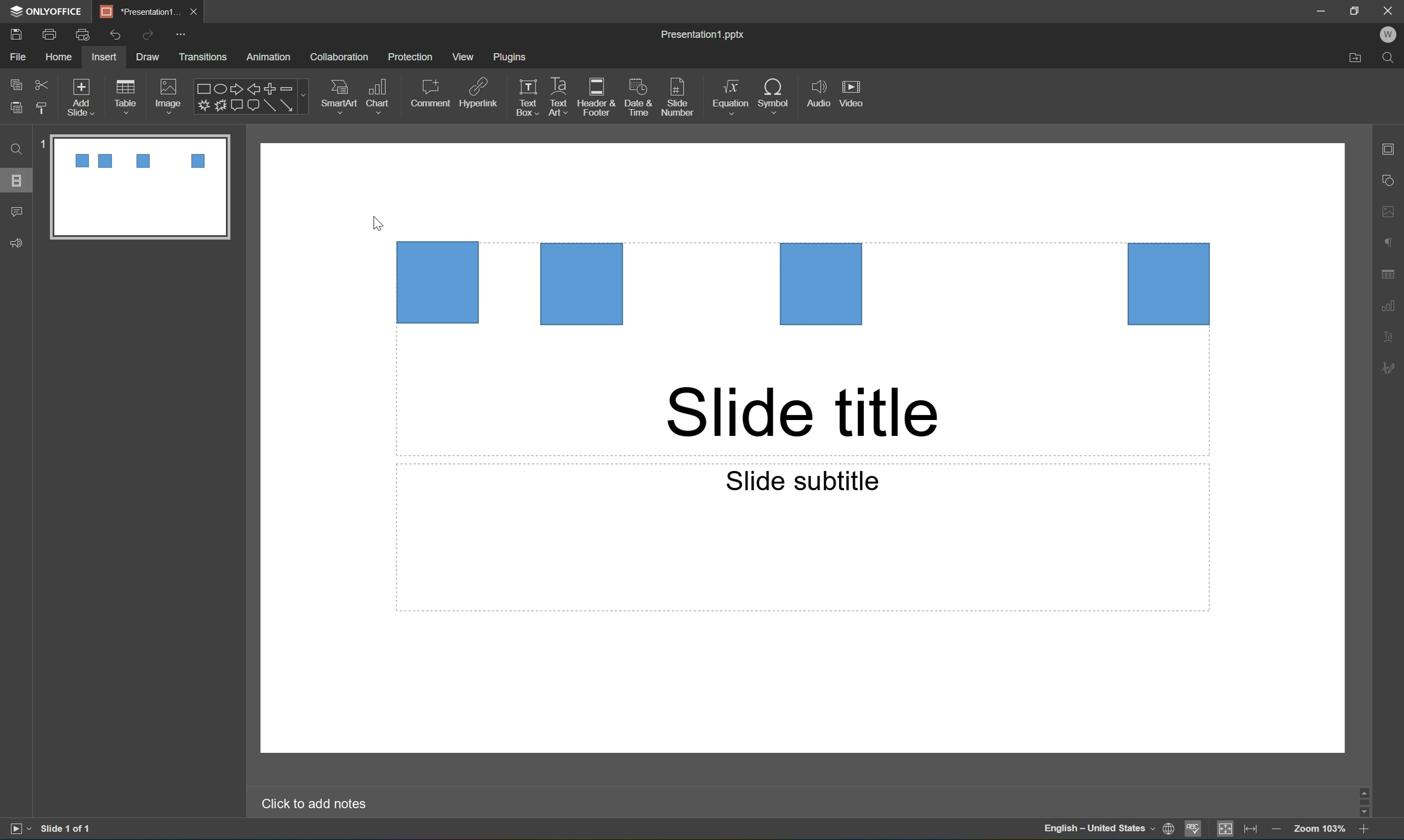 The height and width of the screenshot is (840, 1404). What do you see at coordinates (18, 109) in the screenshot?
I see `paste` at bounding box center [18, 109].